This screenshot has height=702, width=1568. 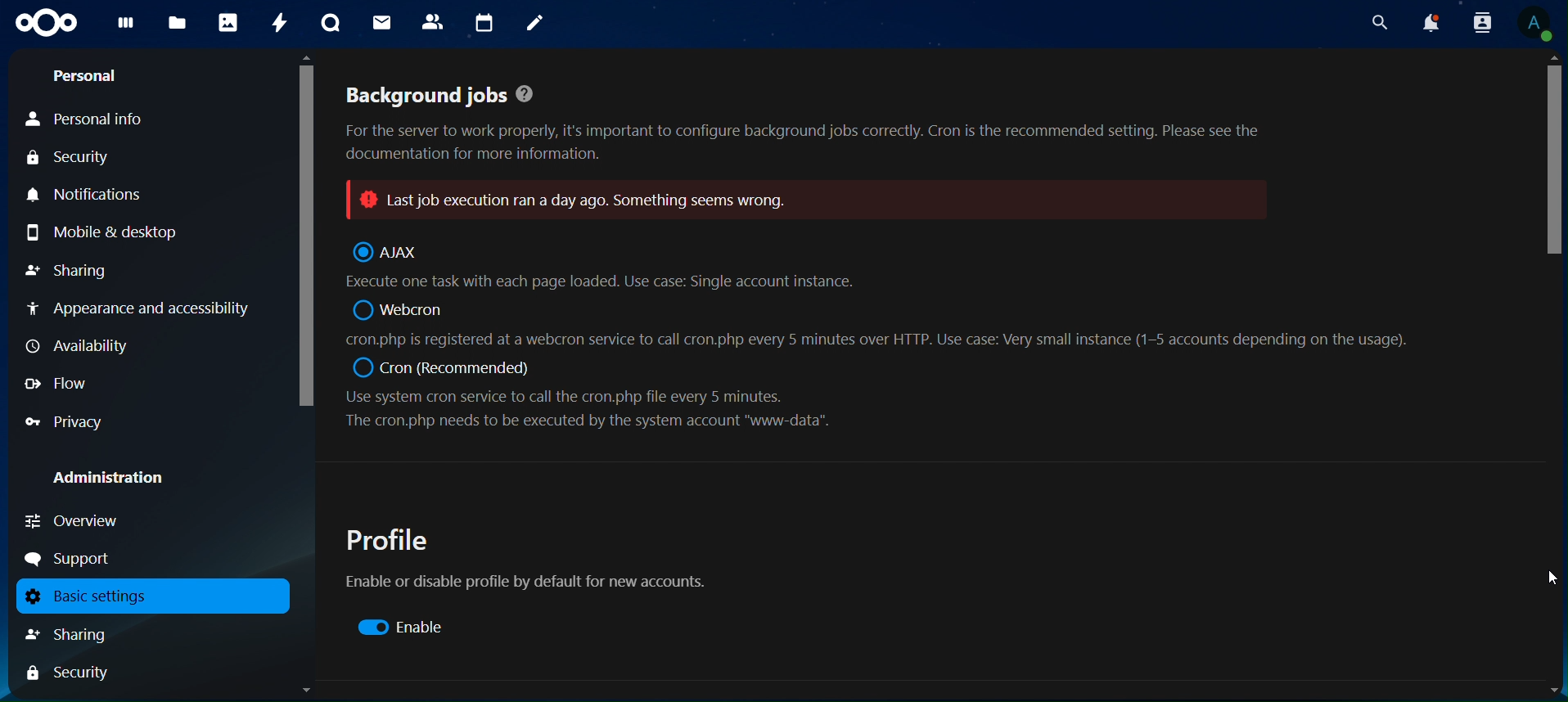 What do you see at coordinates (877, 323) in the screenshot?
I see `Webcroncron.php is registered at a webcron service to call cron.php every 5 minutes over HTTP. Use case: Very small instance (1-5 accounts depending on the usage).` at bounding box center [877, 323].